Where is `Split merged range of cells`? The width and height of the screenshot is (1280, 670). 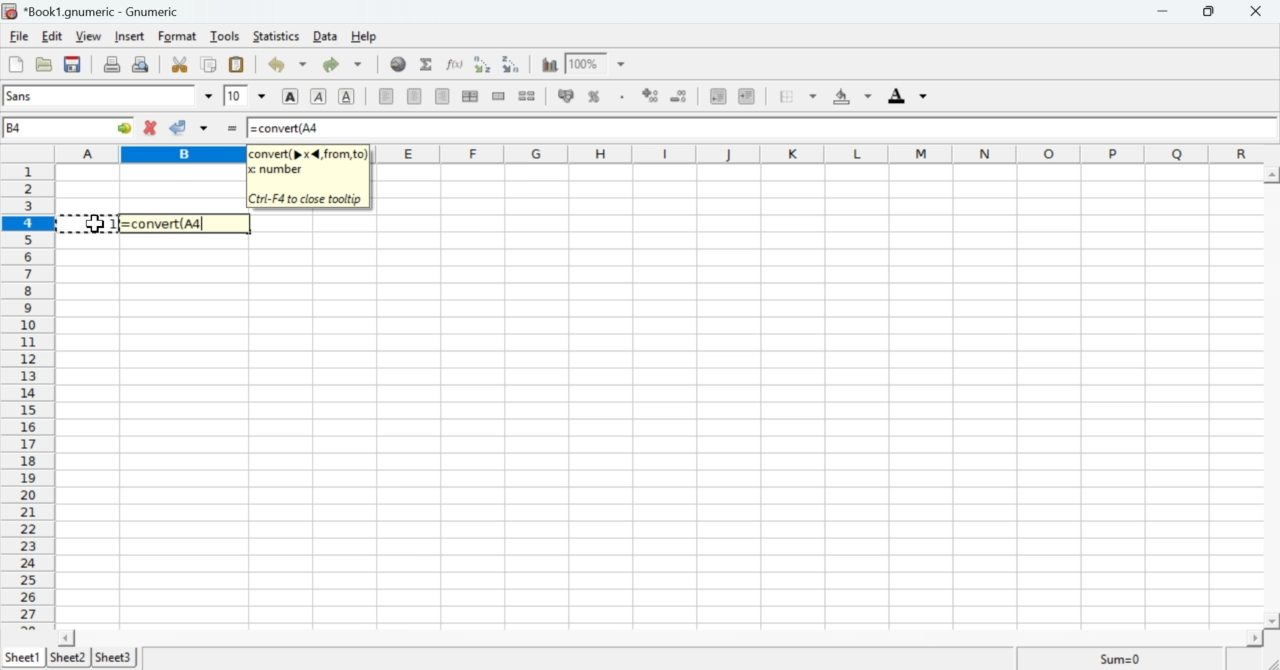 Split merged range of cells is located at coordinates (527, 95).